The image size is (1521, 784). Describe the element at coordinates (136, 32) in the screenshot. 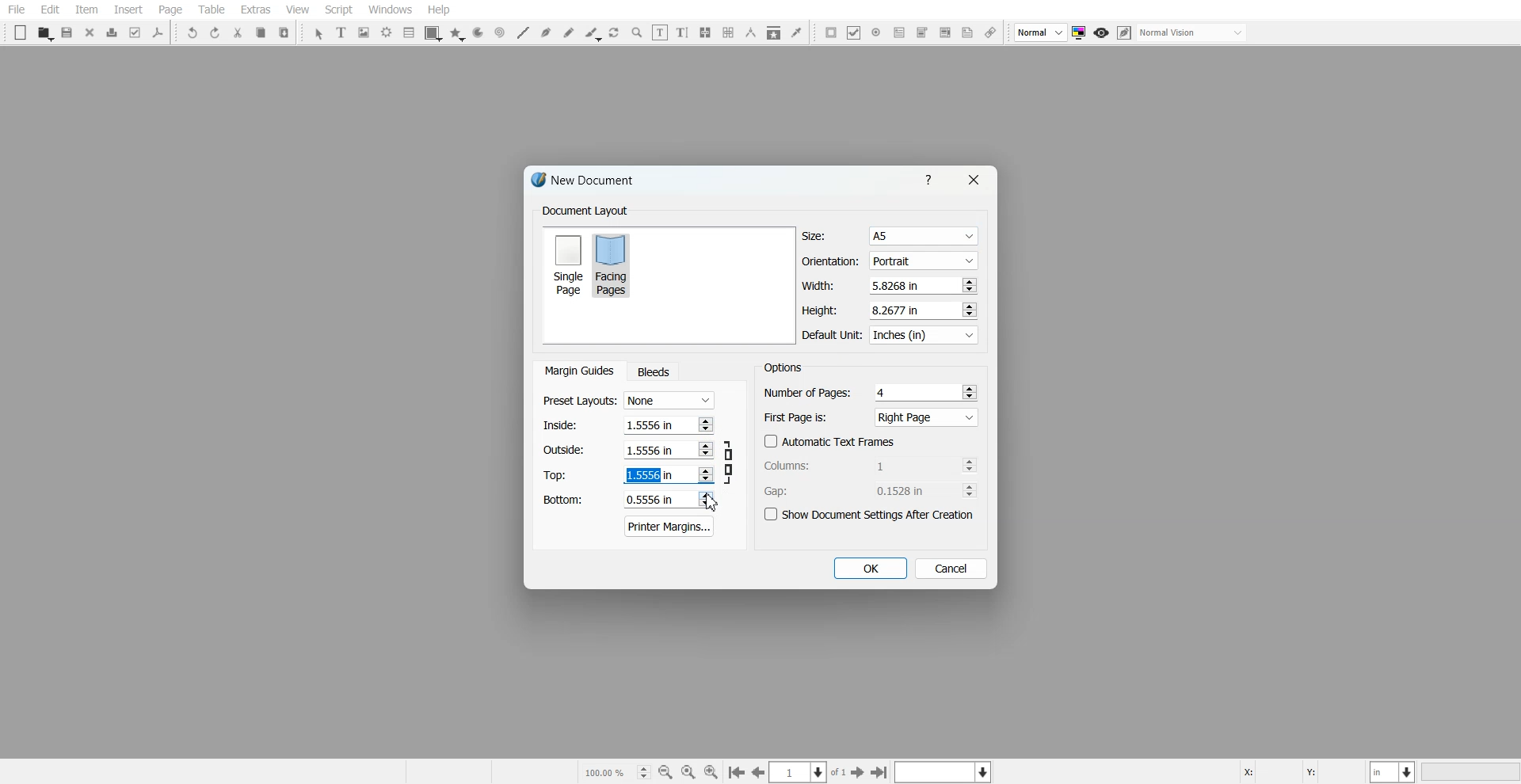

I see `Preflight Verifier` at that location.